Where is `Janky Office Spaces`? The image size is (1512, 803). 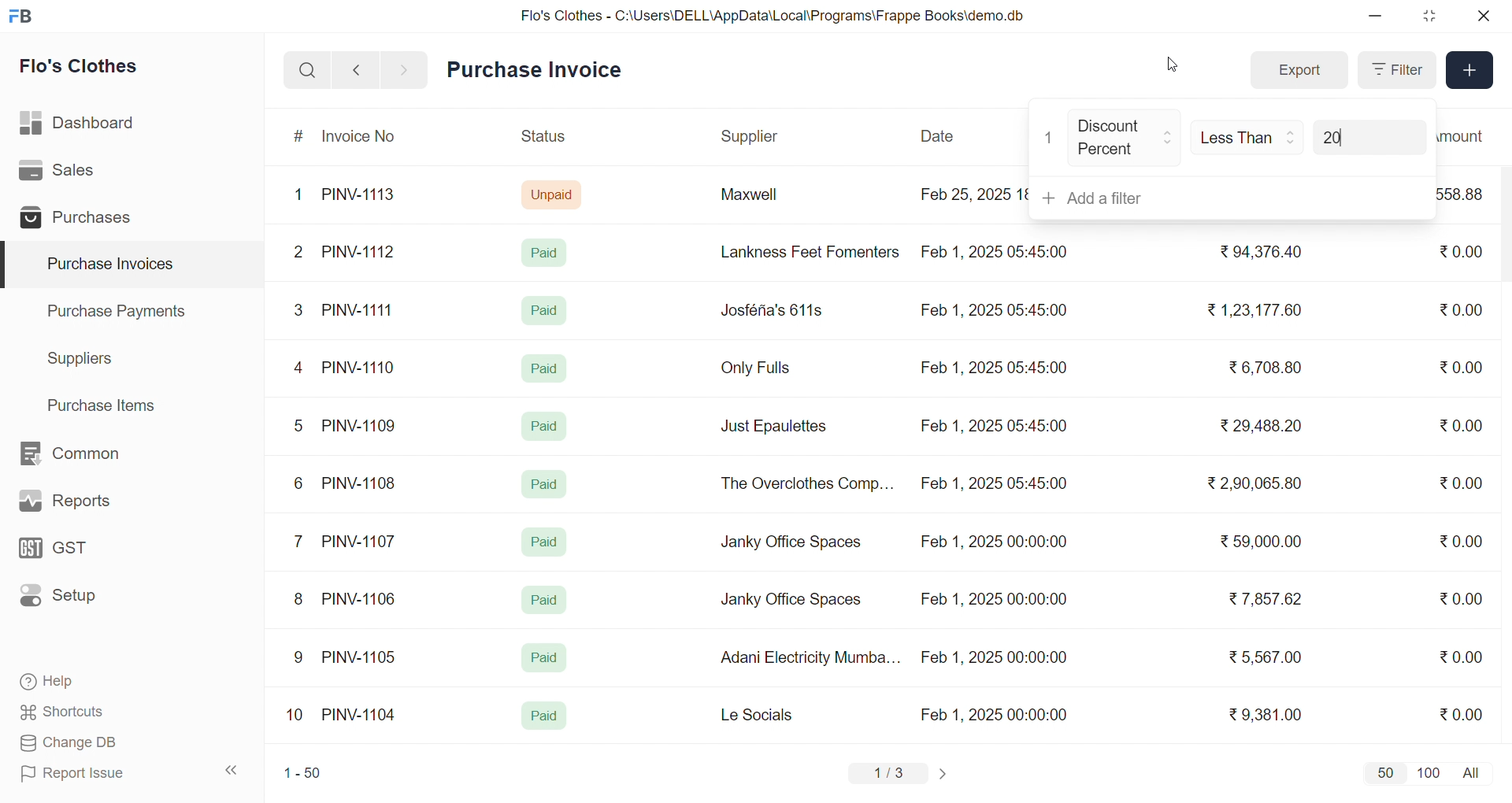 Janky Office Spaces is located at coordinates (792, 543).